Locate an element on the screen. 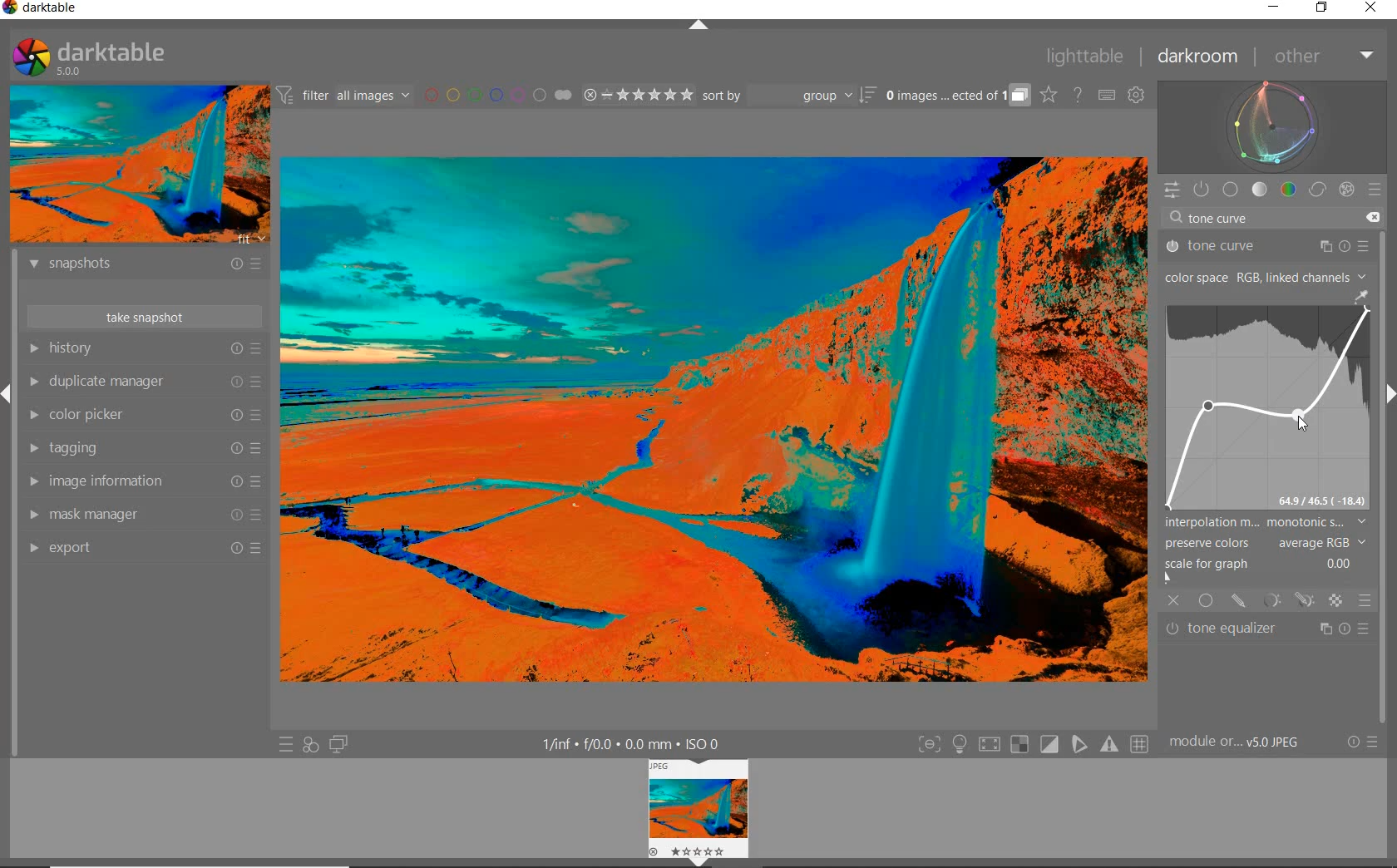  QUICK ACCESS PANEL is located at coordinates (1172, 190).